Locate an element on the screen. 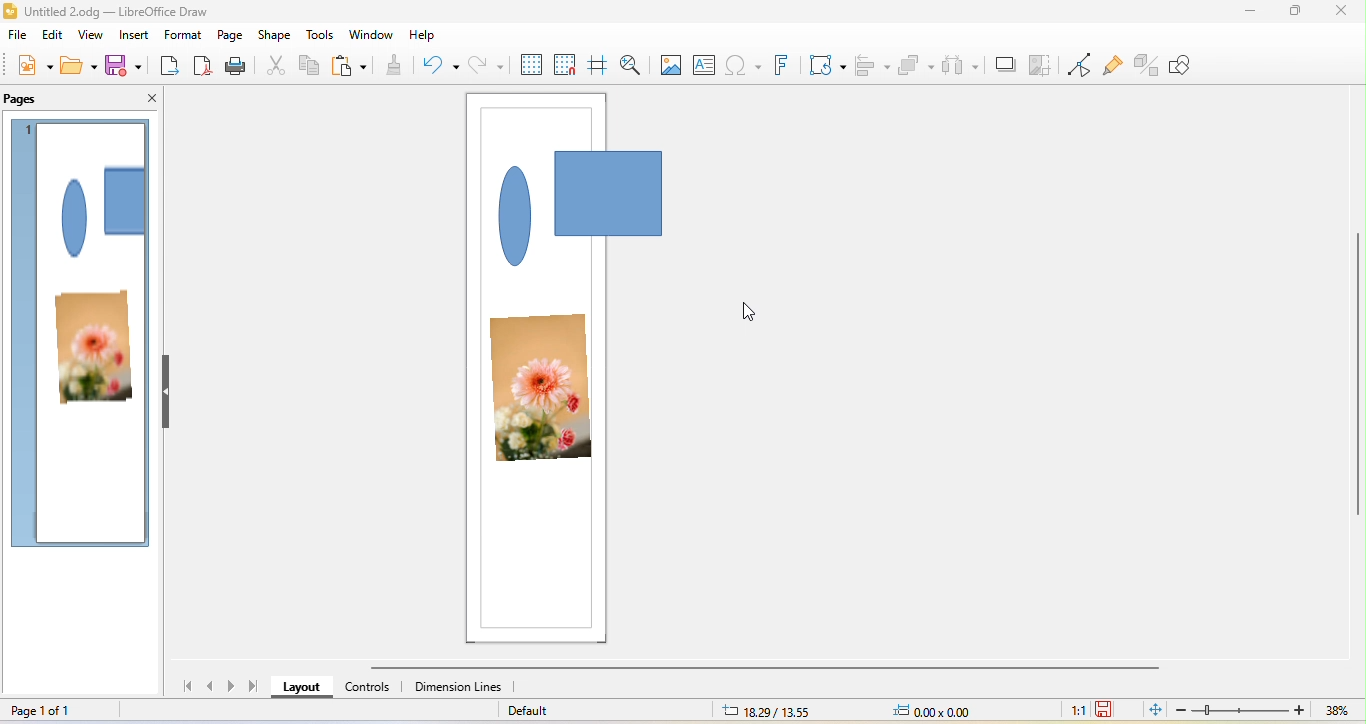 The height and width of the screenshot is (724, 1366). controls is located at coordinates (363, 692).